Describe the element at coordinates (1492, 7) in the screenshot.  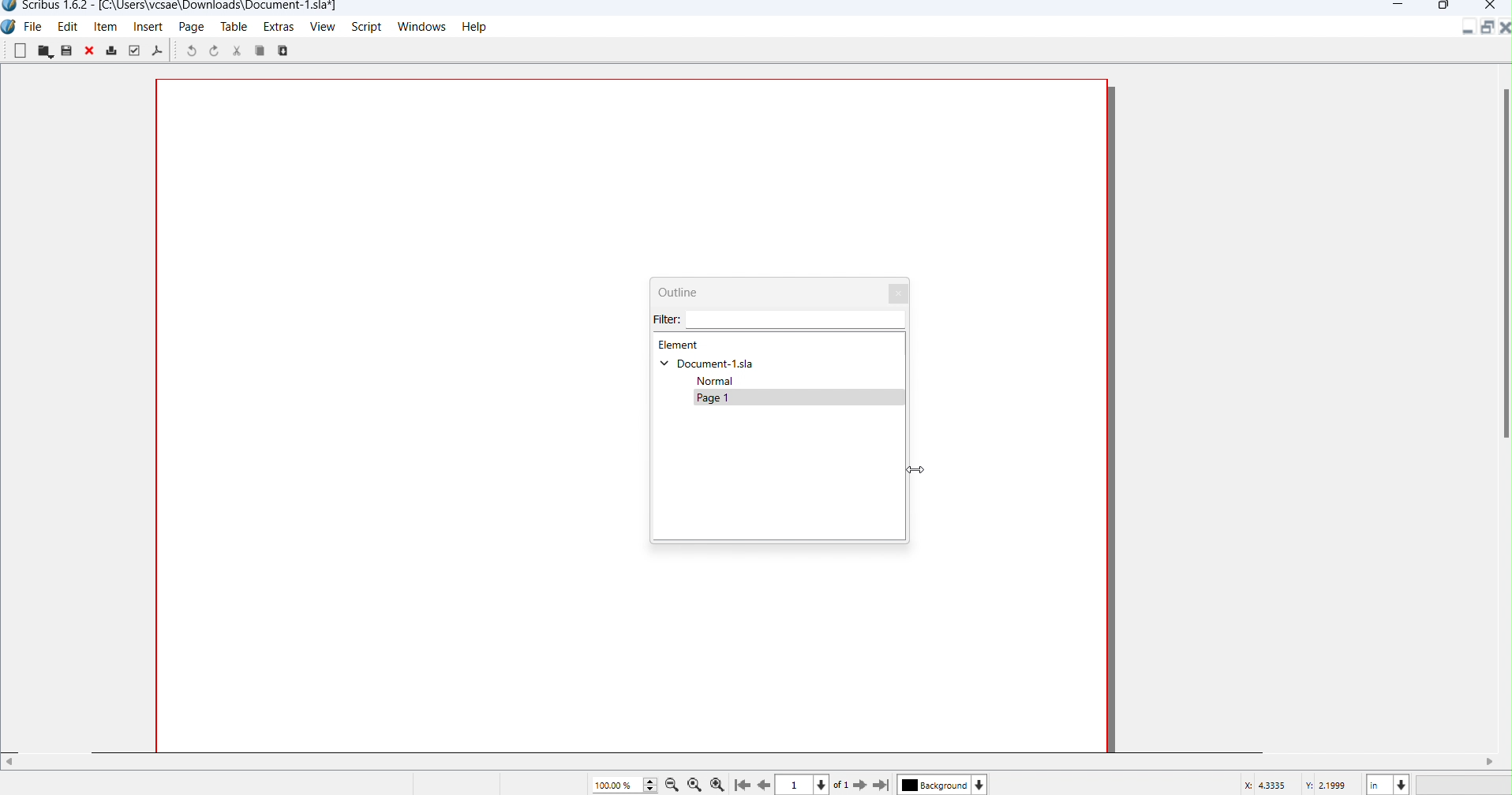
I see `Close` at that location.